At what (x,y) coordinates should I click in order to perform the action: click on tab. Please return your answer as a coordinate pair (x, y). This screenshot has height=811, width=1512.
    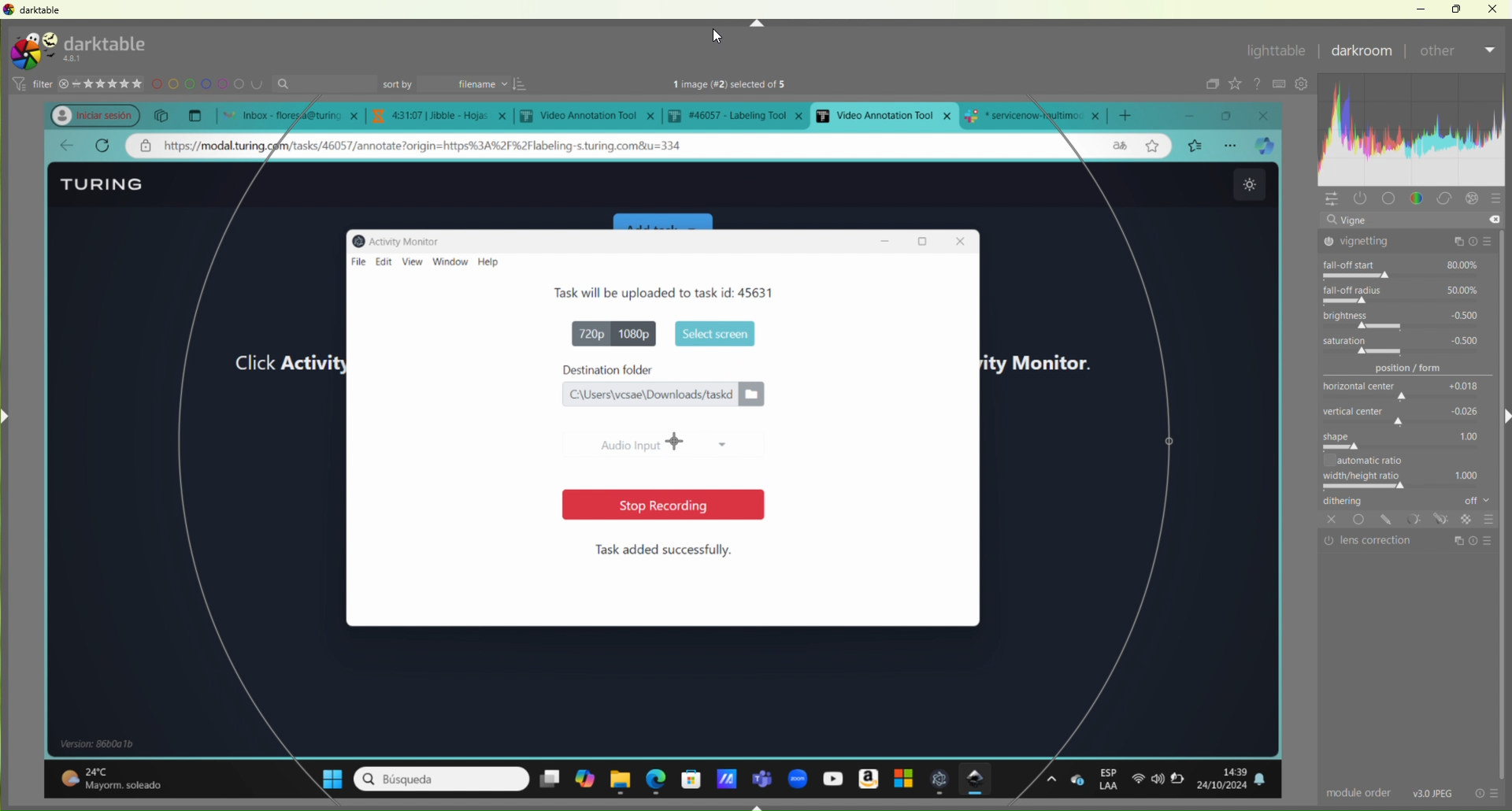
    Looking at the image, I should click on (591, 117).